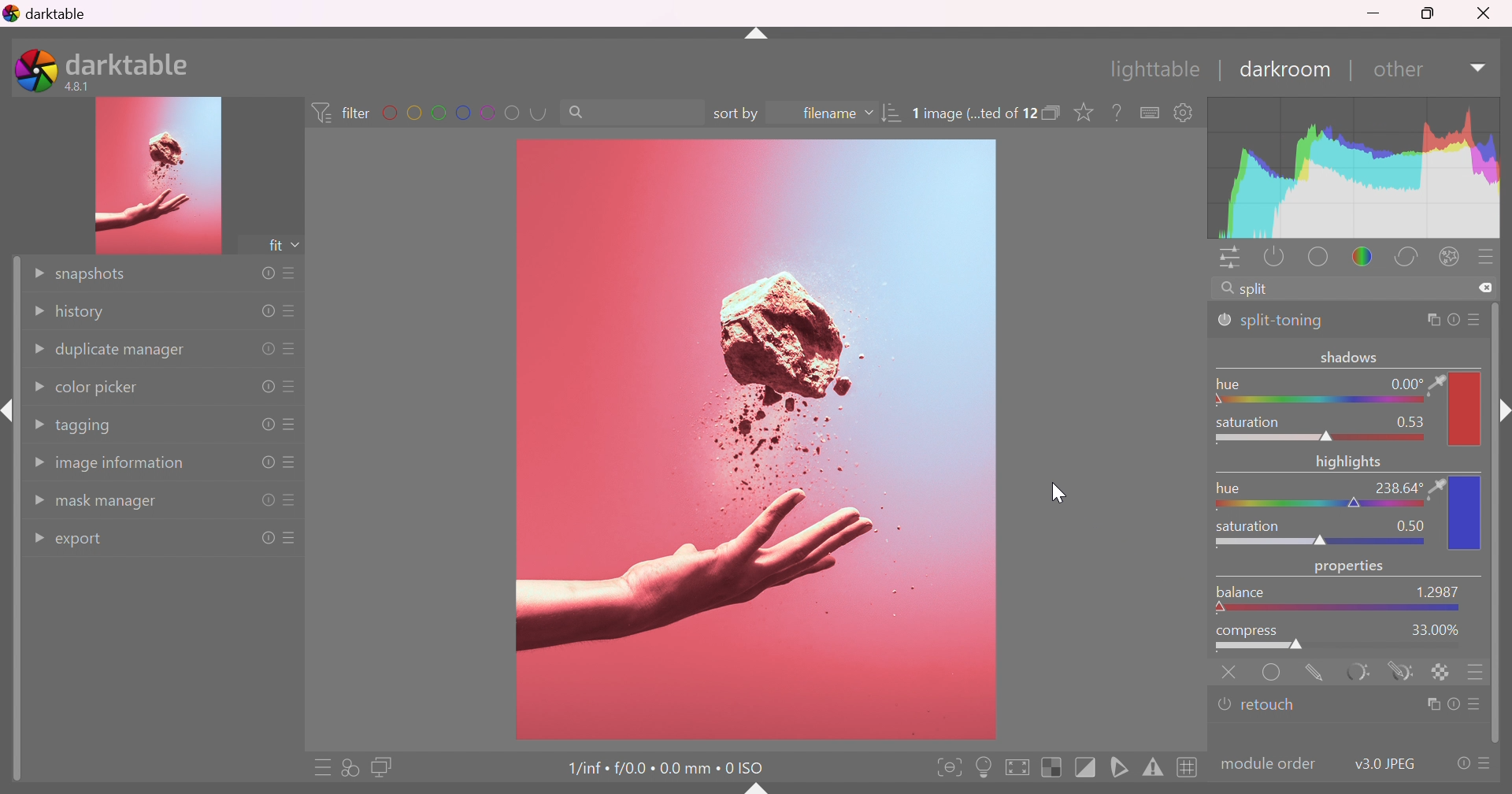  I want to click on multiple instance actions, so click(1433, 319).